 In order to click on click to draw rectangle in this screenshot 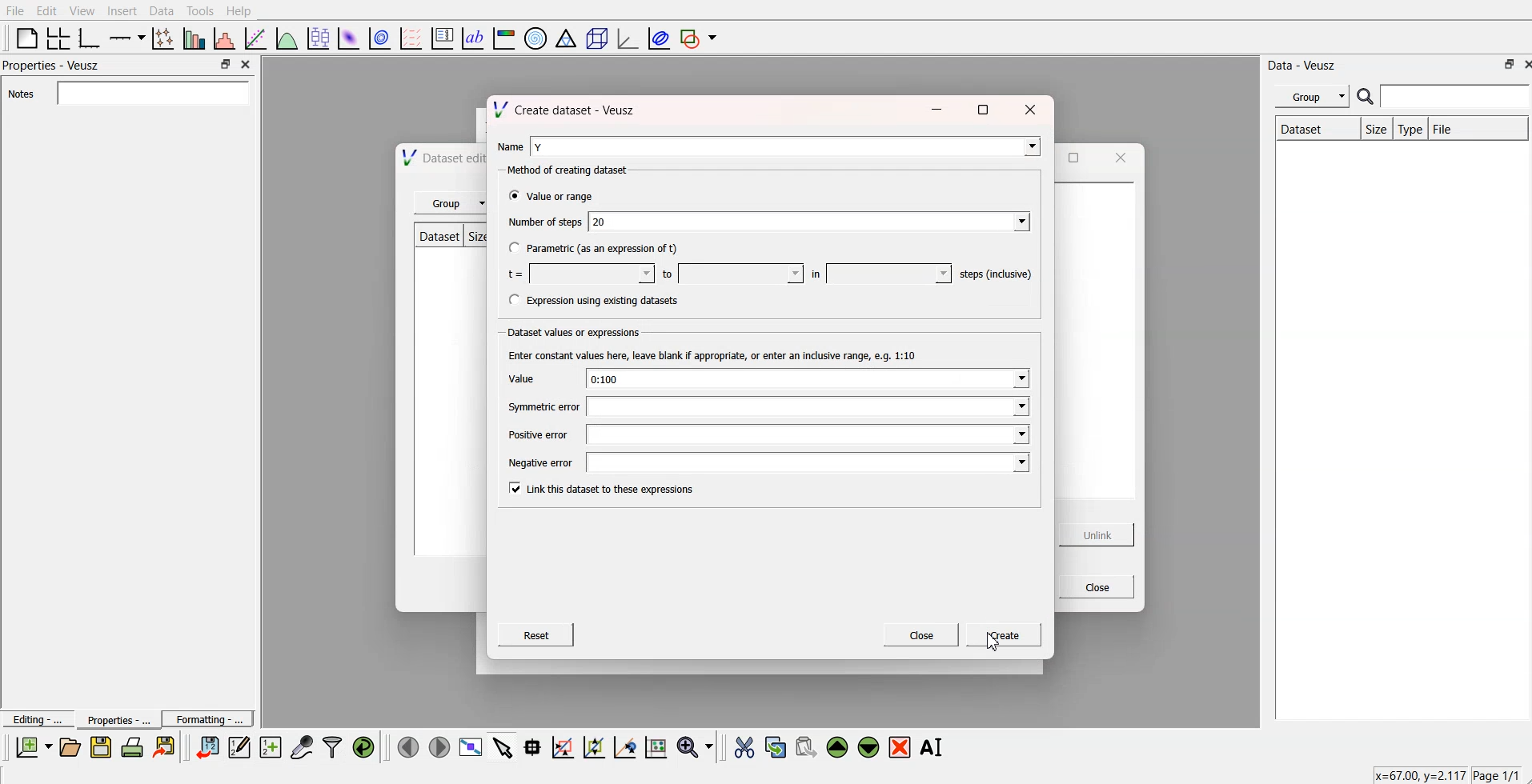, I will do `click(563, 746)`.